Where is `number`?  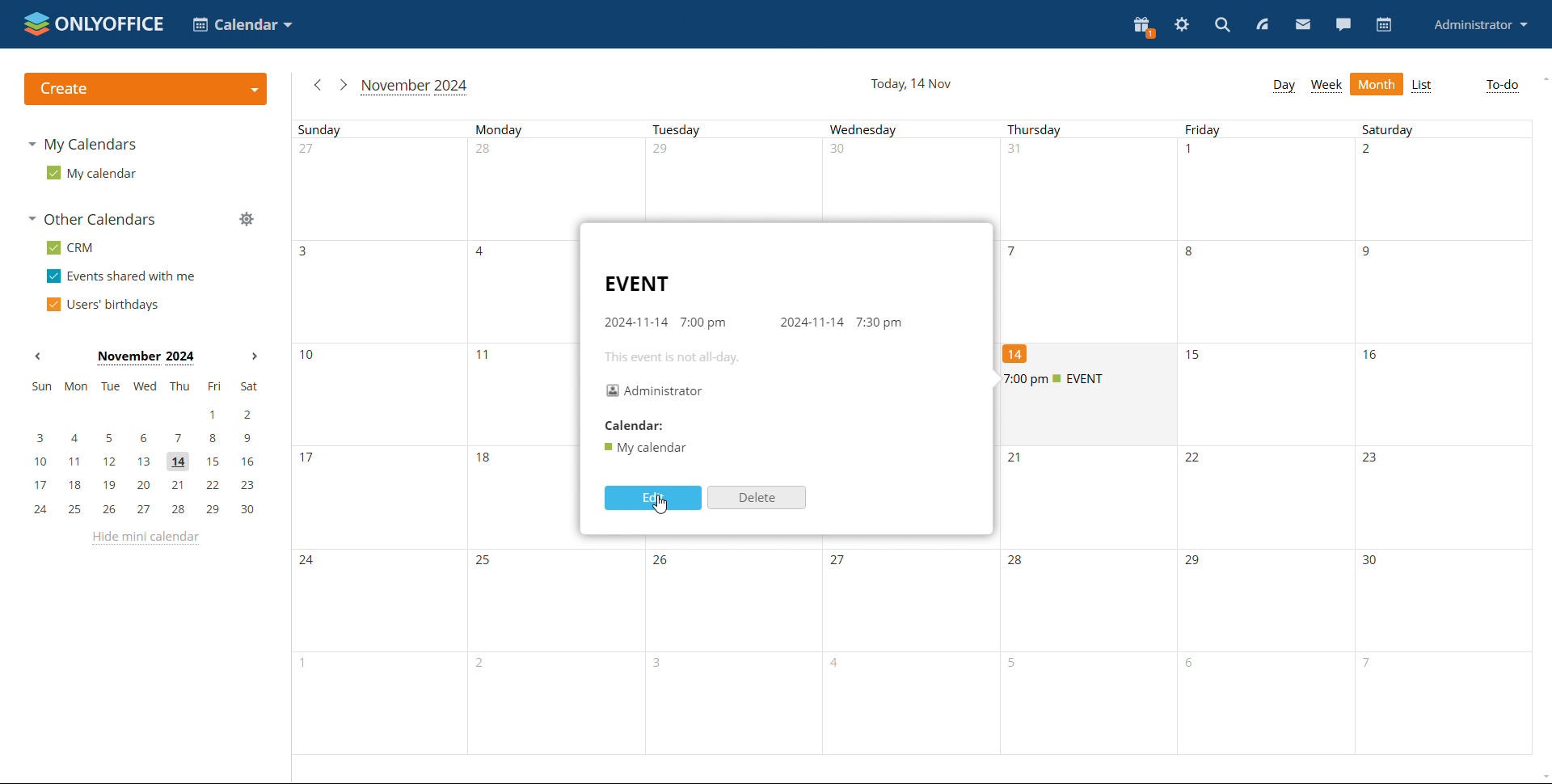
number is located at coordinates (1372, 460).